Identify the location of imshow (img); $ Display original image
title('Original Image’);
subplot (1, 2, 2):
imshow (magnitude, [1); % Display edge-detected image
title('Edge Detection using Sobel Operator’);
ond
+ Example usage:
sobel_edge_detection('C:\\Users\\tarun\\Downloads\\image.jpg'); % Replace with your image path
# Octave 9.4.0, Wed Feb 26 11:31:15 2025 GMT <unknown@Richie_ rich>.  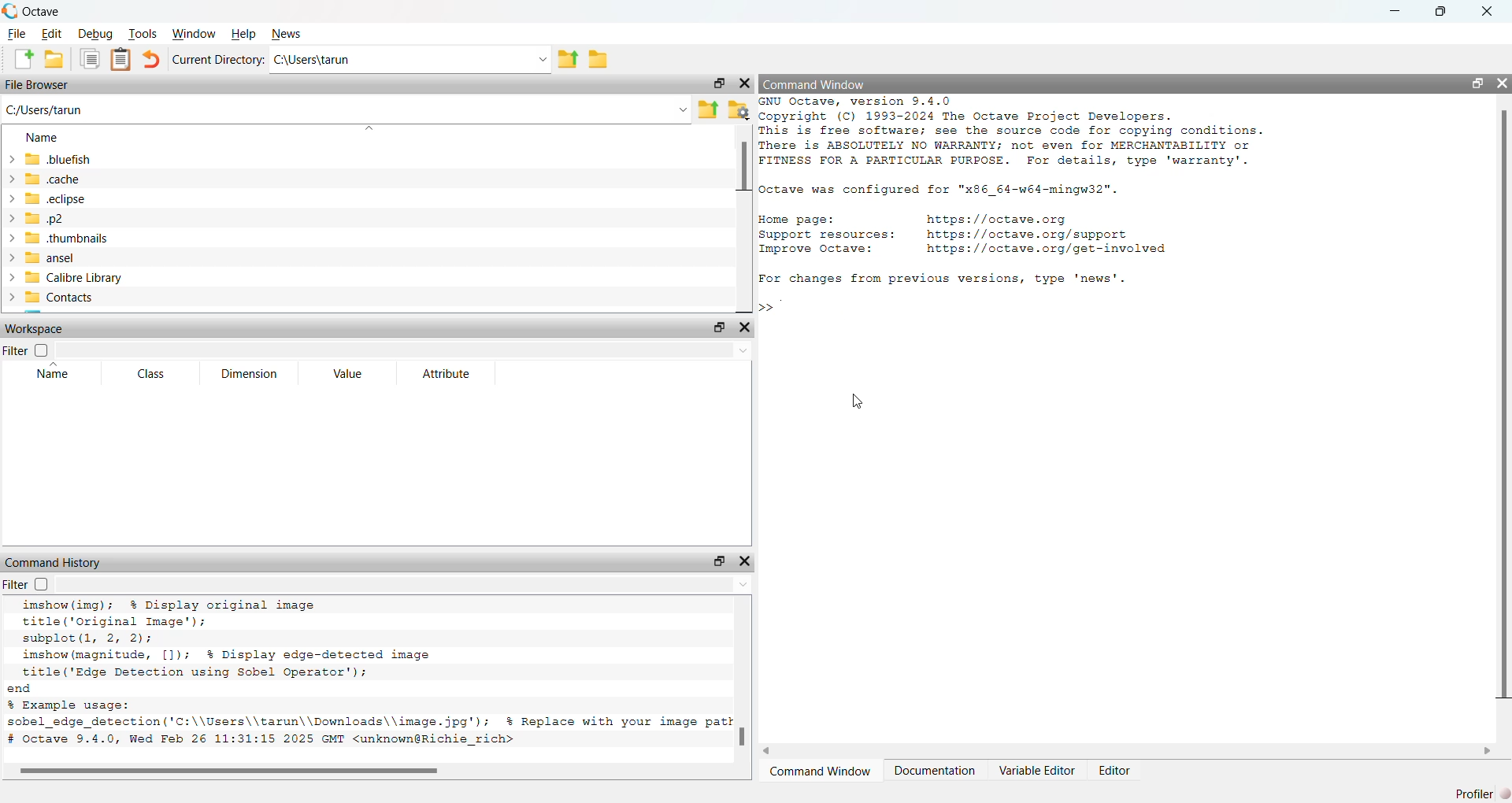
(371, 677).